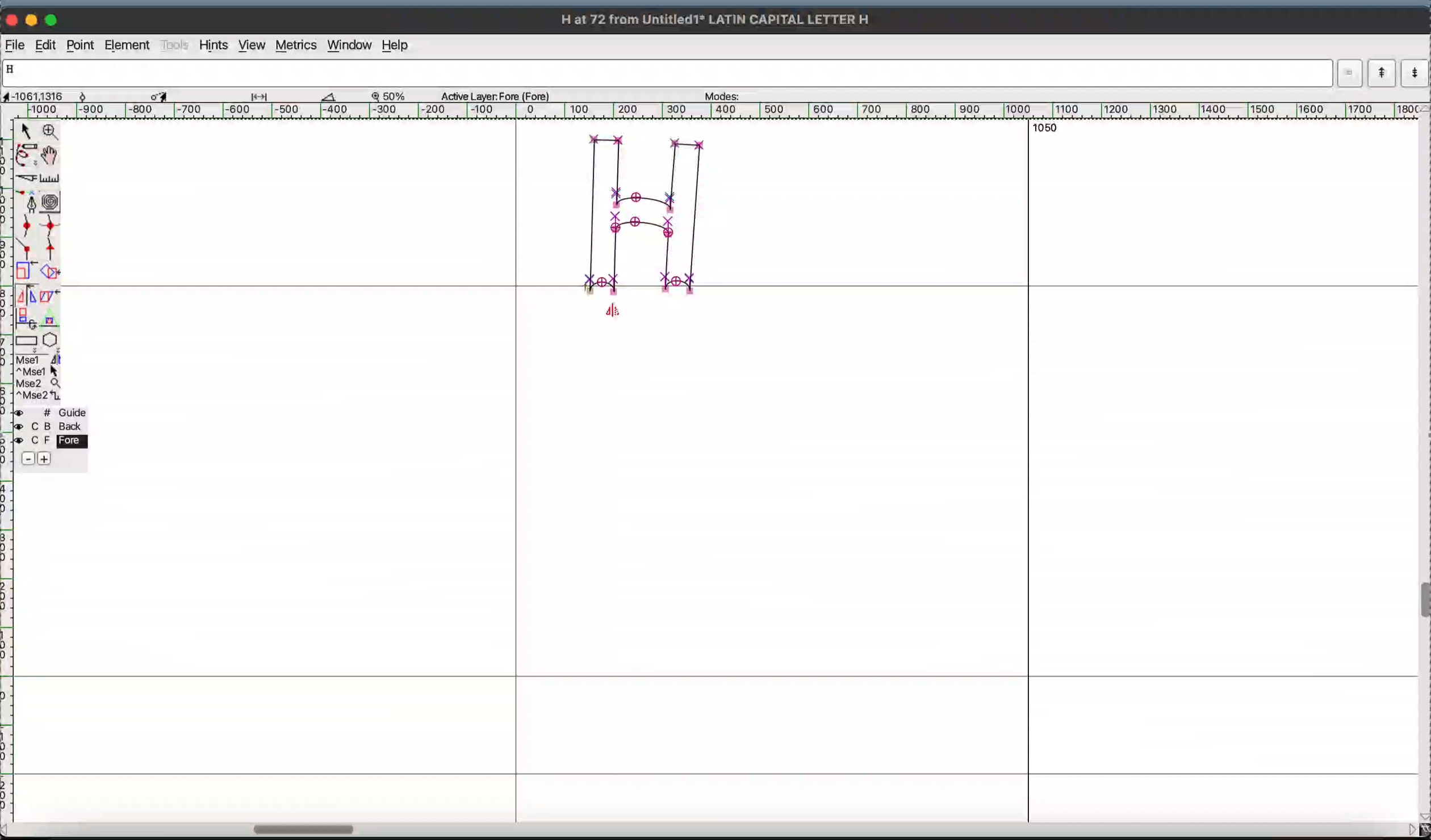  Describe the element at coordinates (211, 45) in the screenshot. I see `hints` at that location.